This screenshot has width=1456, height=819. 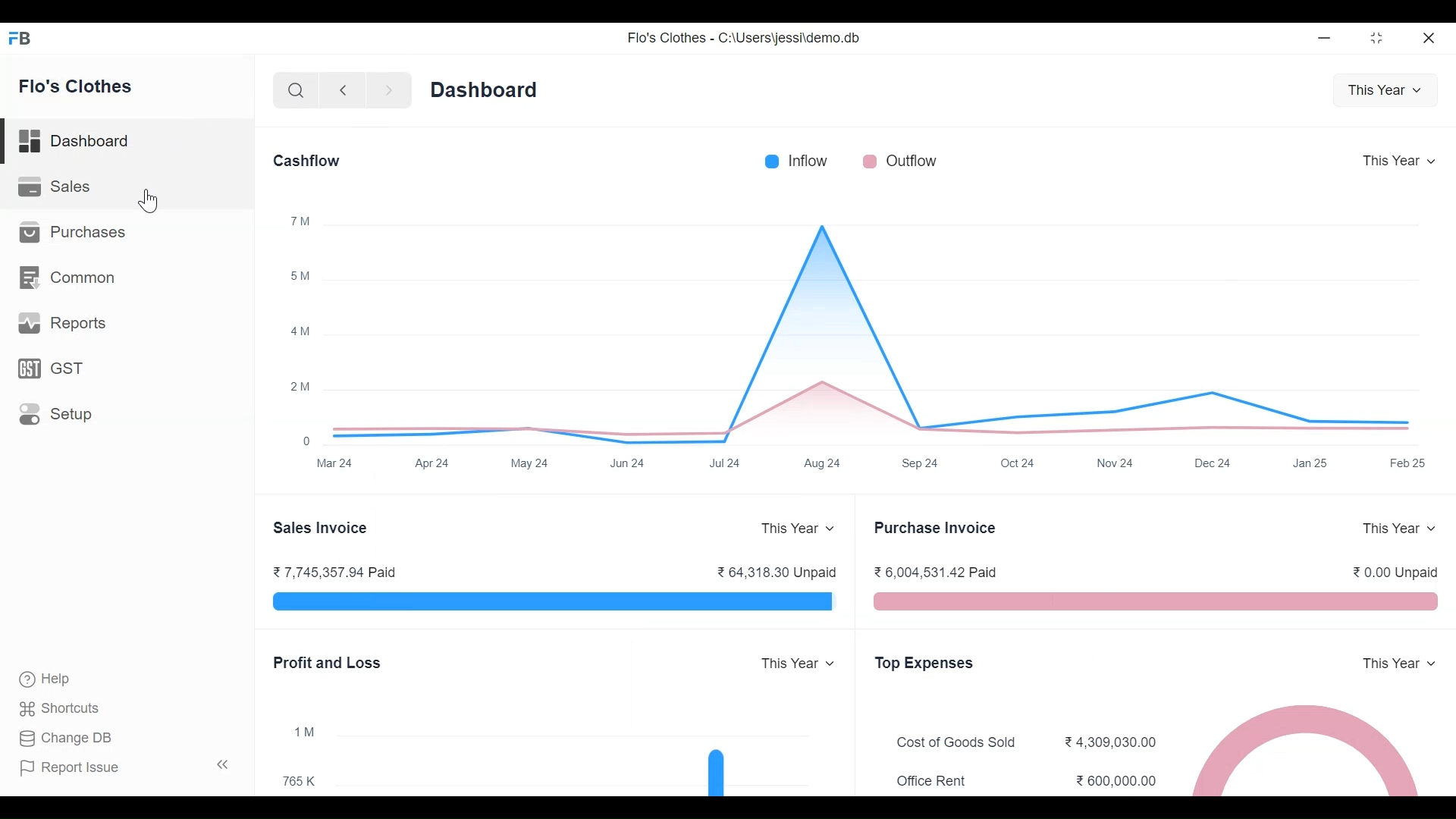 What do you see at coordinates (389, 89) in the screenshot?
I see `Navigate Forward` at bounding box center [389, 89].